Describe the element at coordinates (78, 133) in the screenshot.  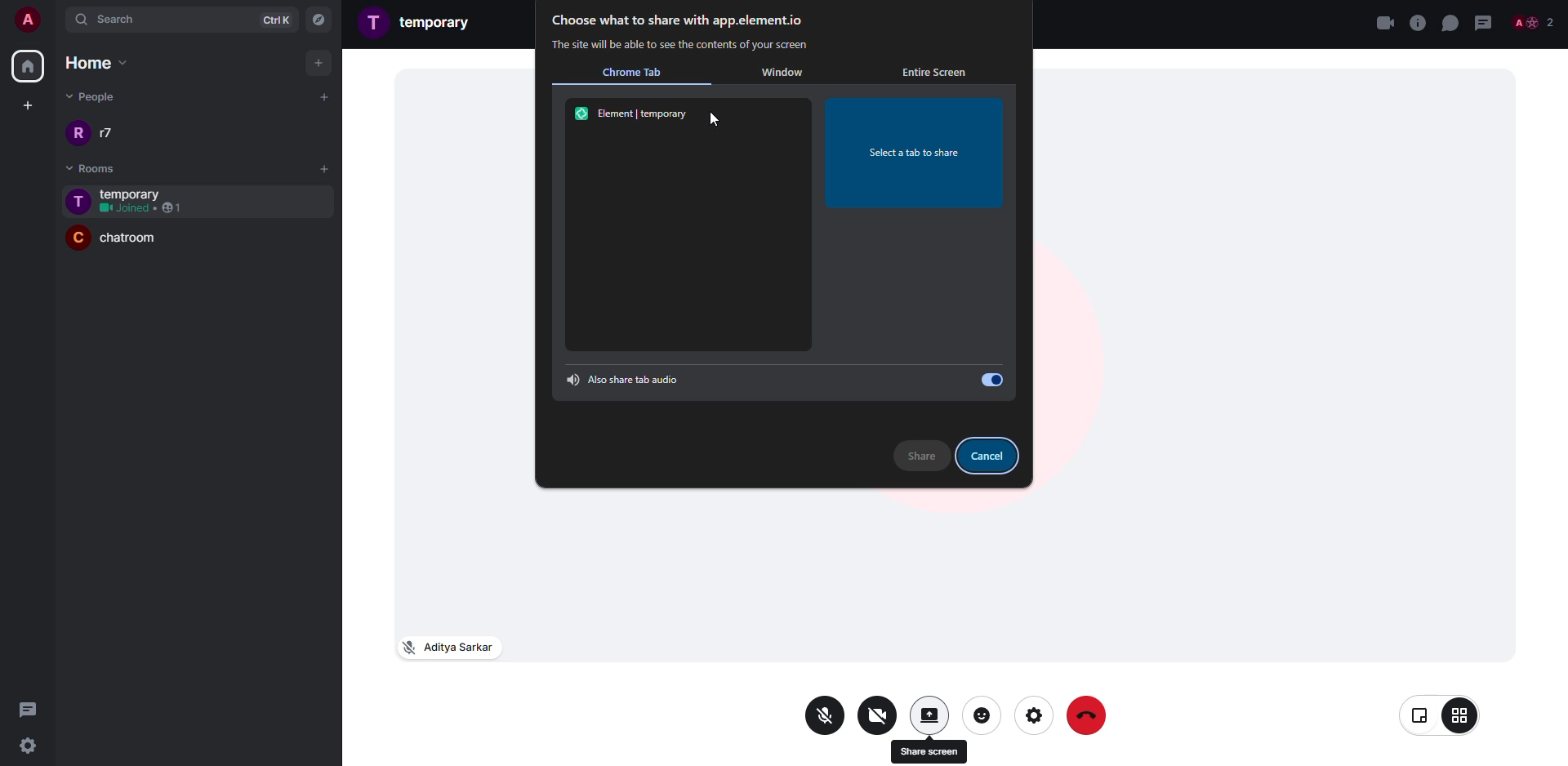
I see `profile` at that location.